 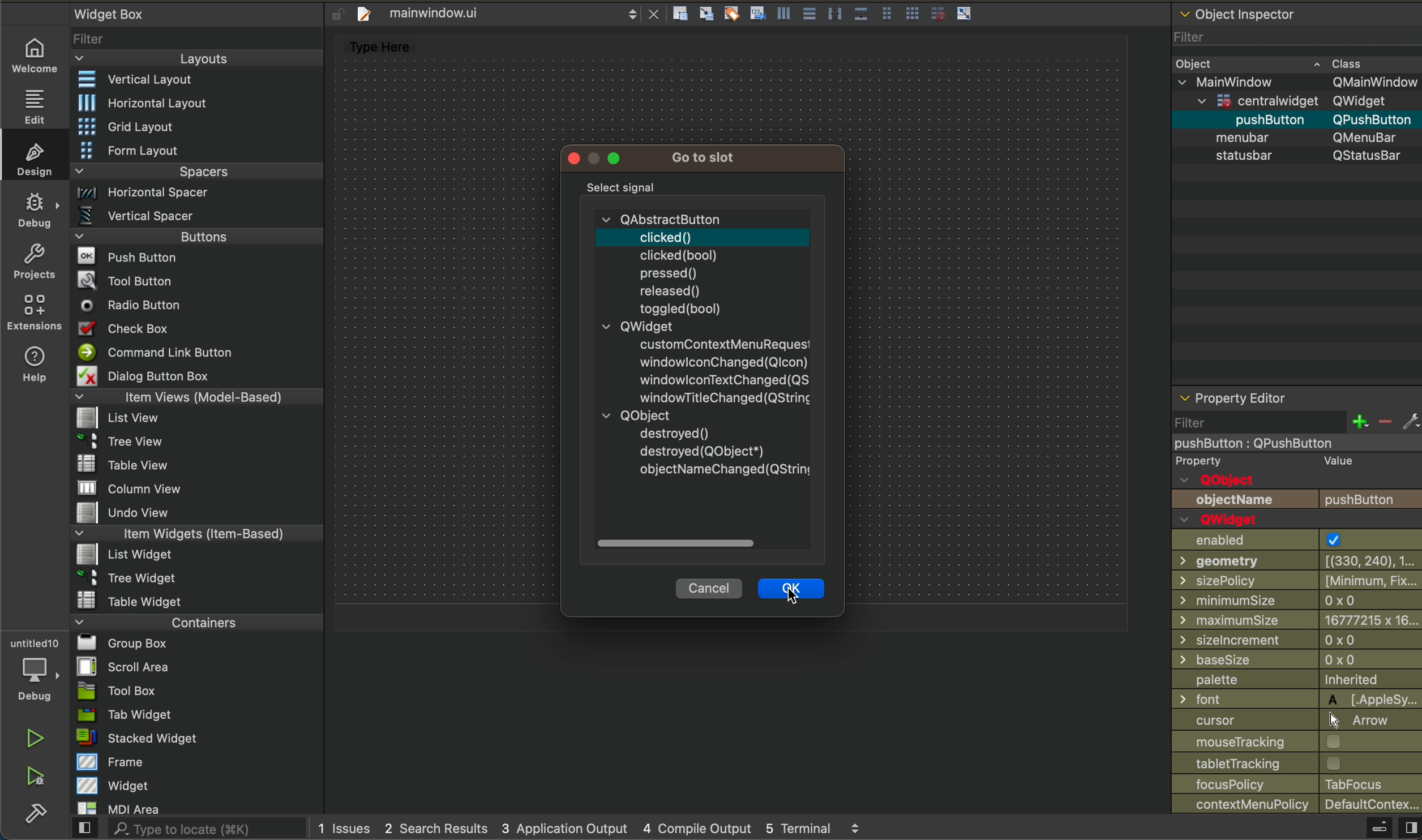 What do you see at coordinates (188, 830) in the screenshot?
I see `search bar` at bounding box center [188, 830].